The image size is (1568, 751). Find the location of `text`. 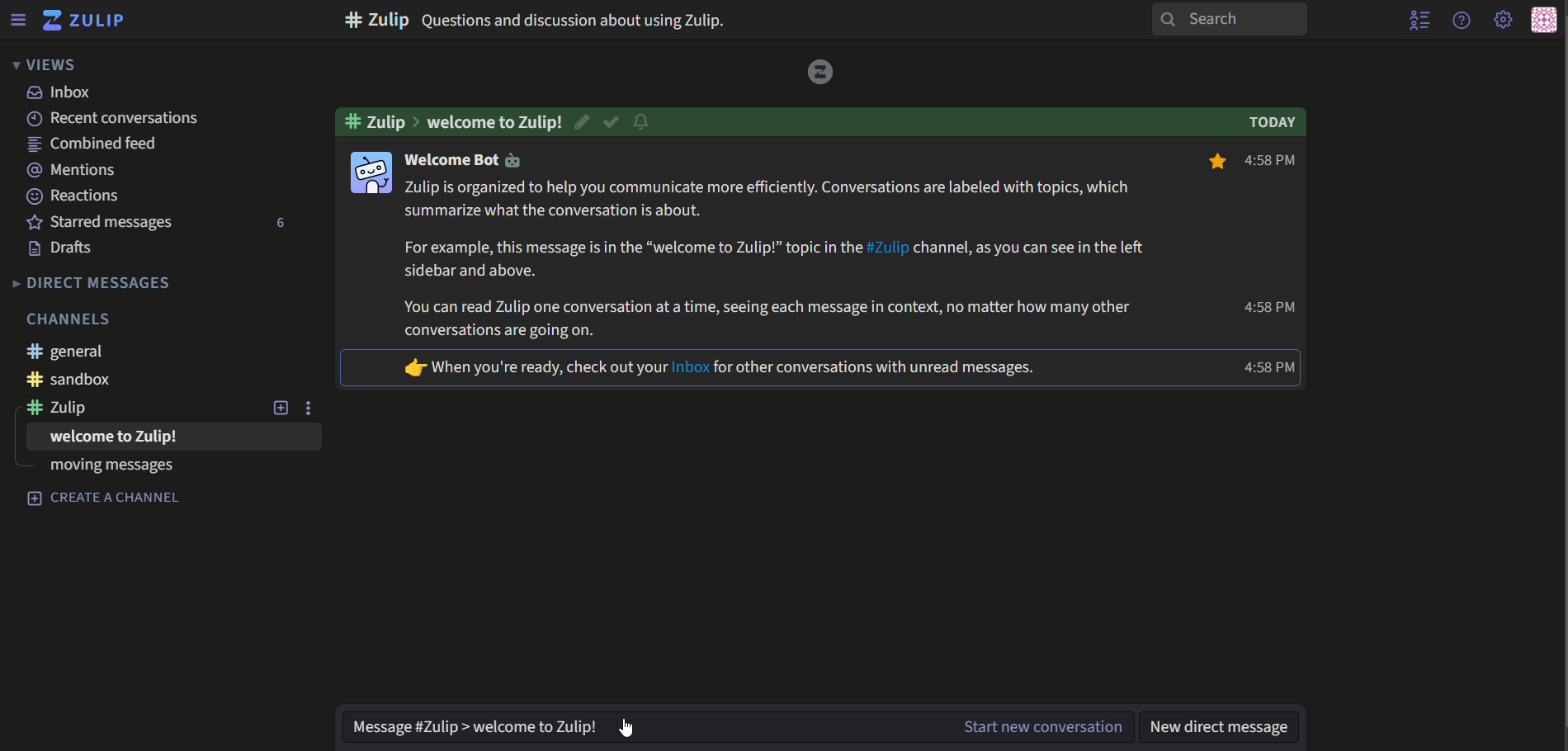

text is located at coordinates (1269, 309).